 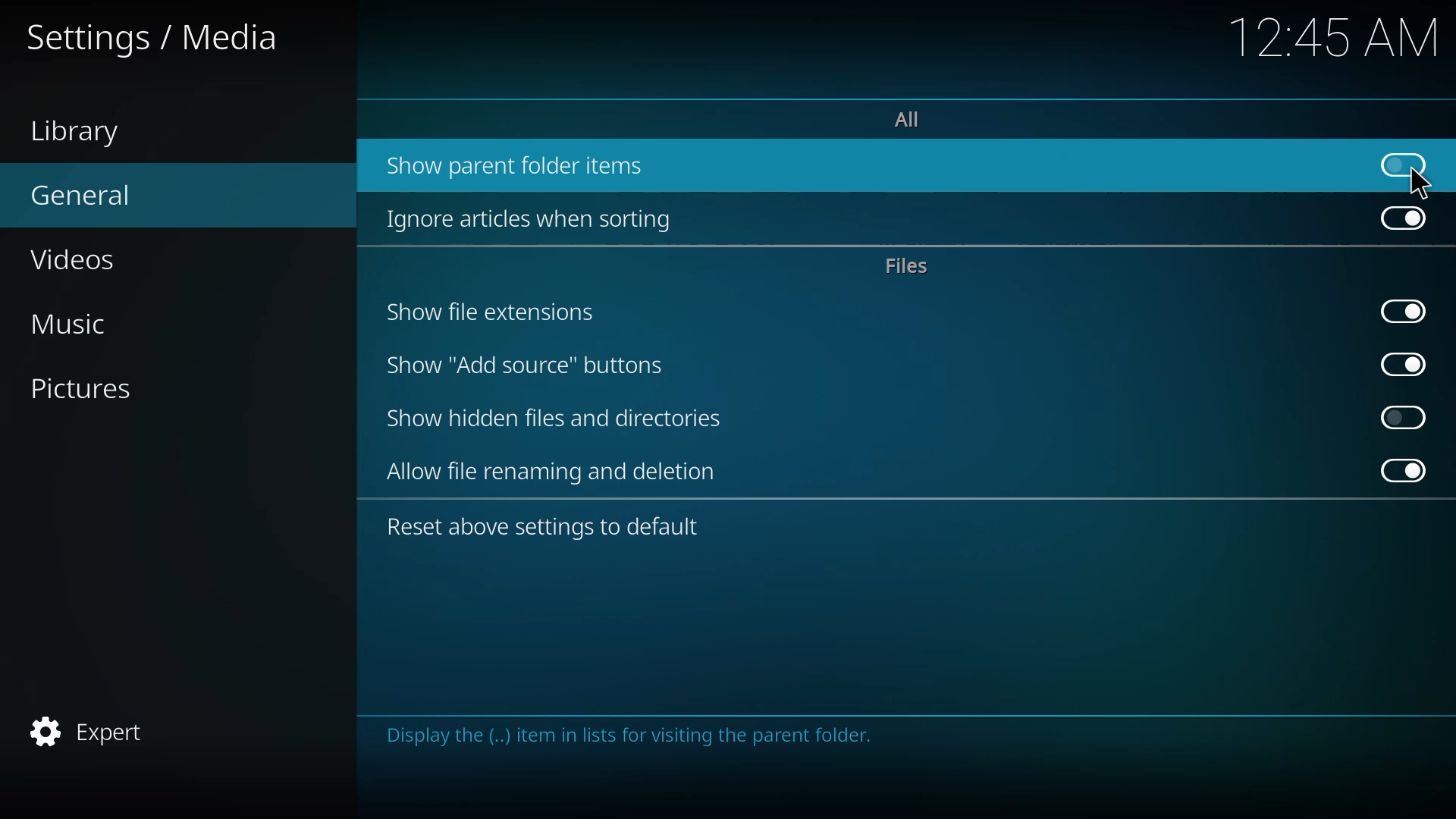 What do you see at coordinates (642, 736) in the screenshot?
I see `info` at bounding box center [642, 736].